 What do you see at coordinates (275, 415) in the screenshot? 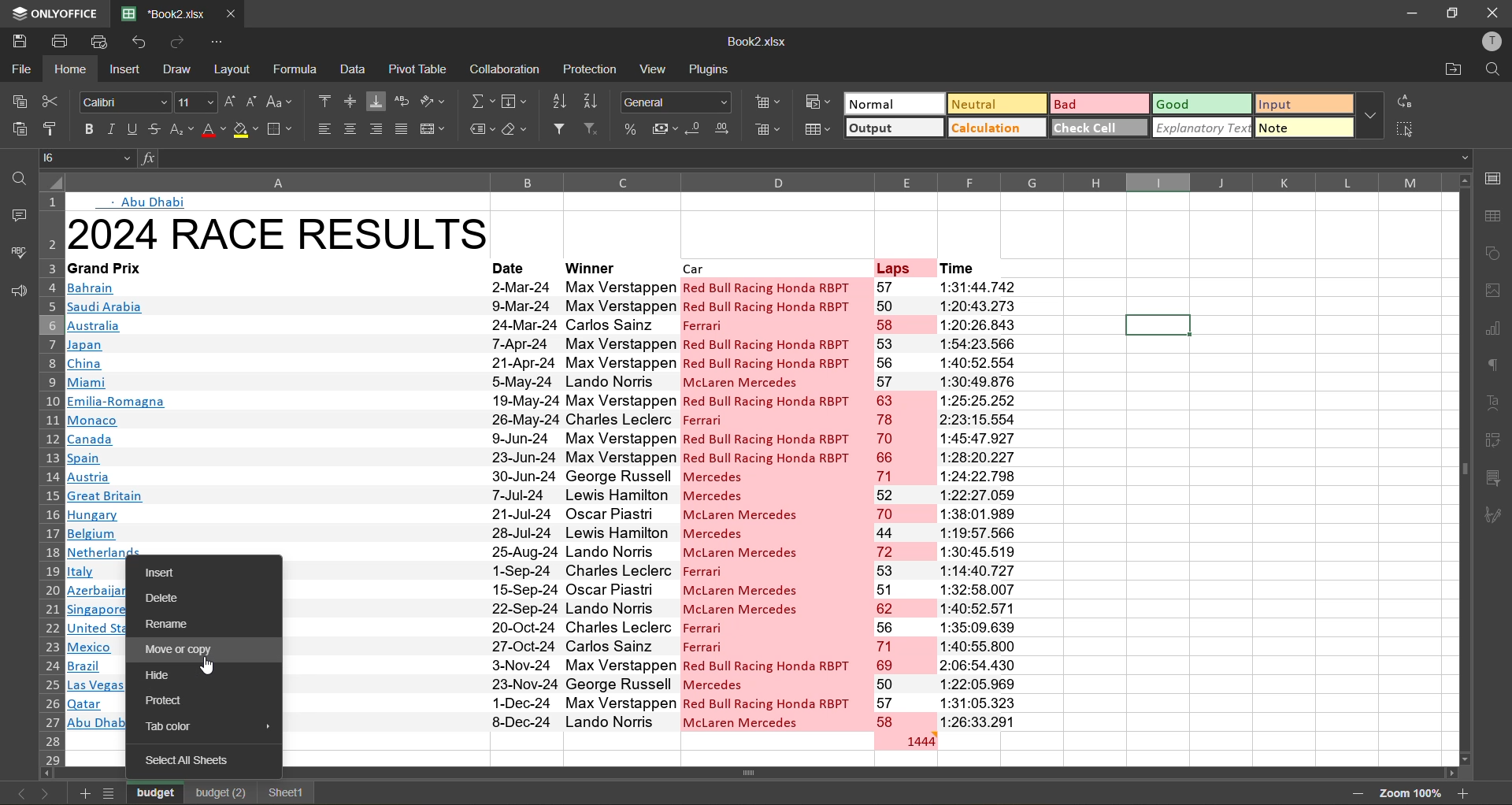
I see `gran prix` at bounding box center [275, 415].